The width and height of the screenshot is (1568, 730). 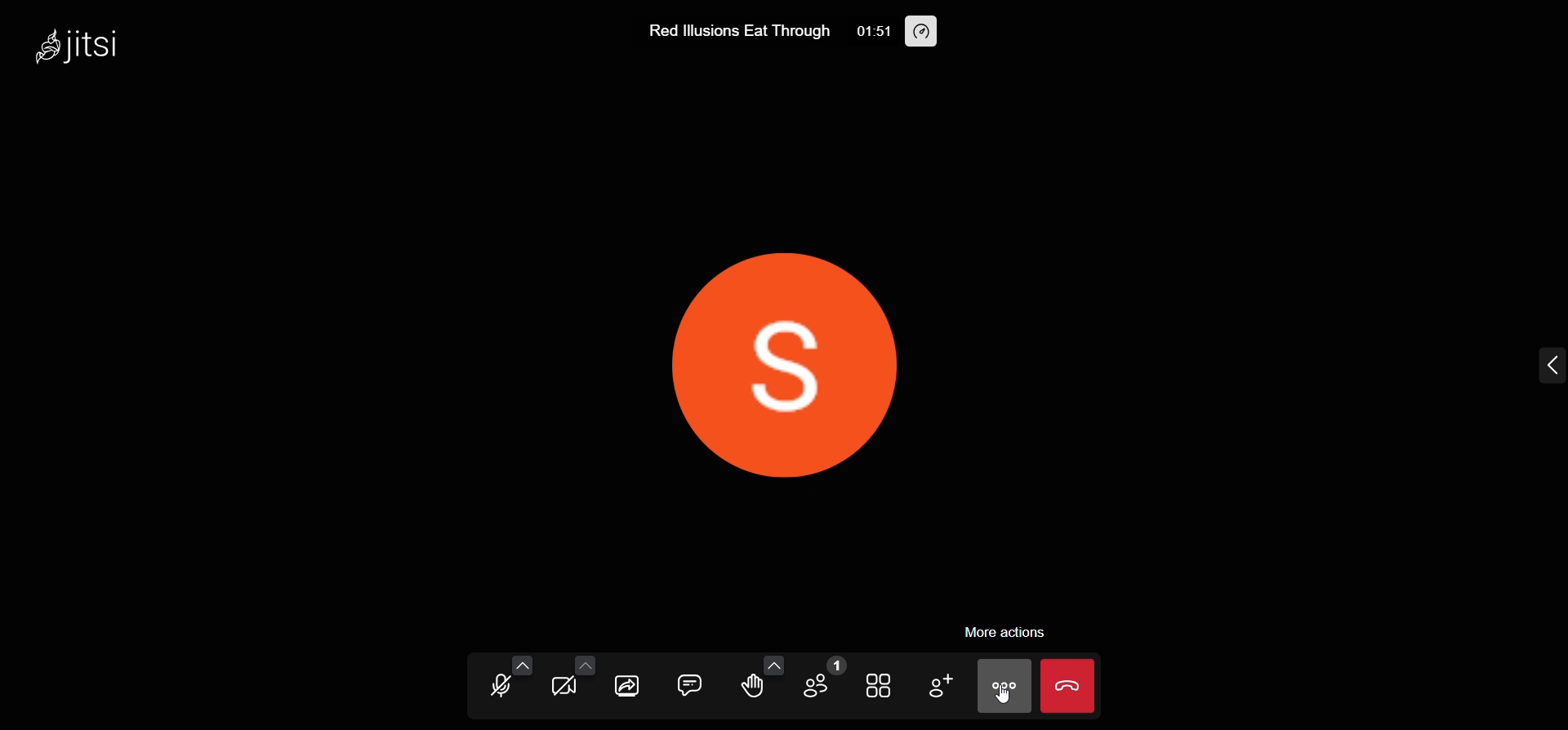 What do you see at coordinates (871, 31) in the screenshot?
I see `01:51` at bounding box center [871, 31].